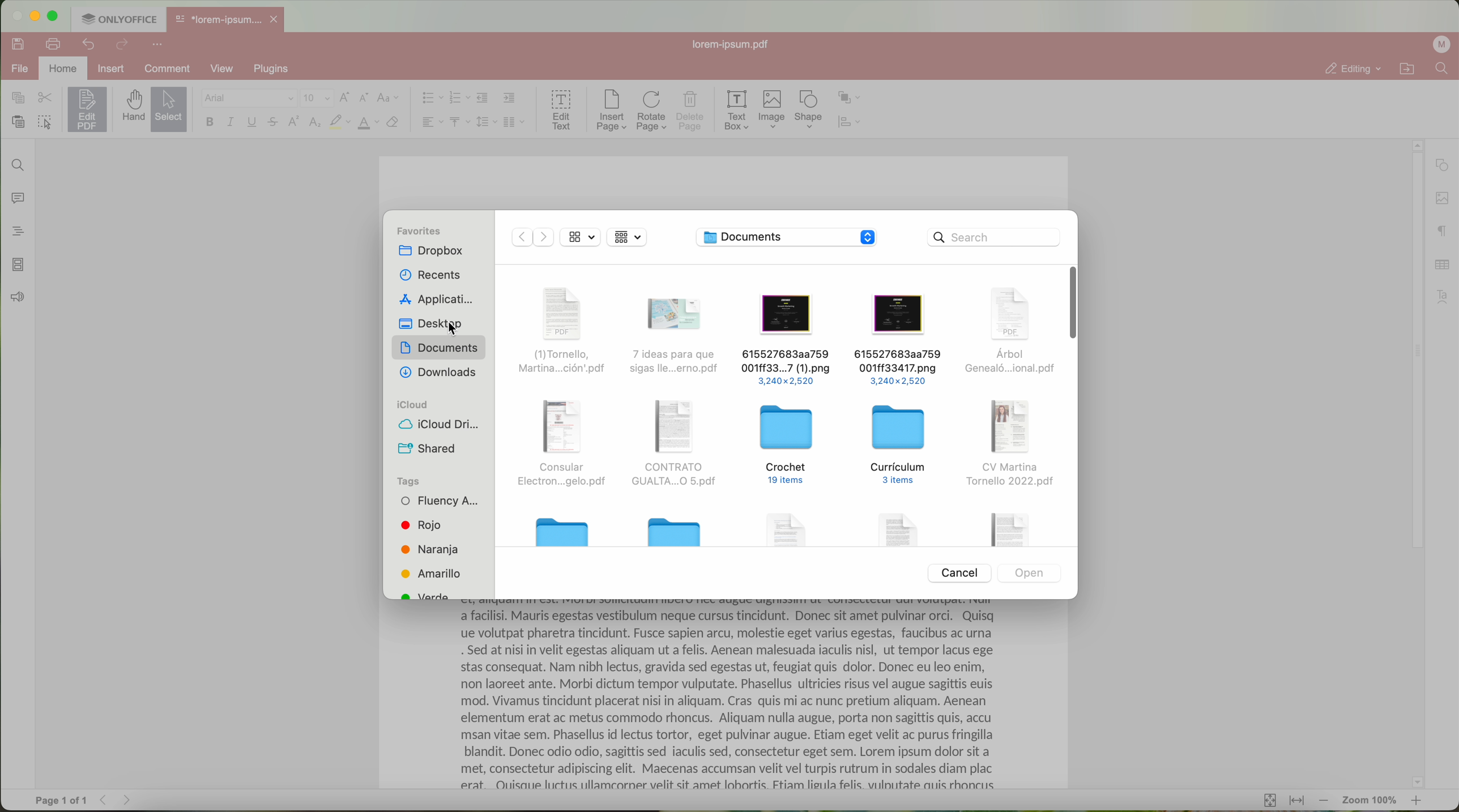 This screenshot has width=1459, height=812. What do you see at coordinates (17, 264) in the screenshot?
I see `page thumbnails` at bounding box center [17, 264].